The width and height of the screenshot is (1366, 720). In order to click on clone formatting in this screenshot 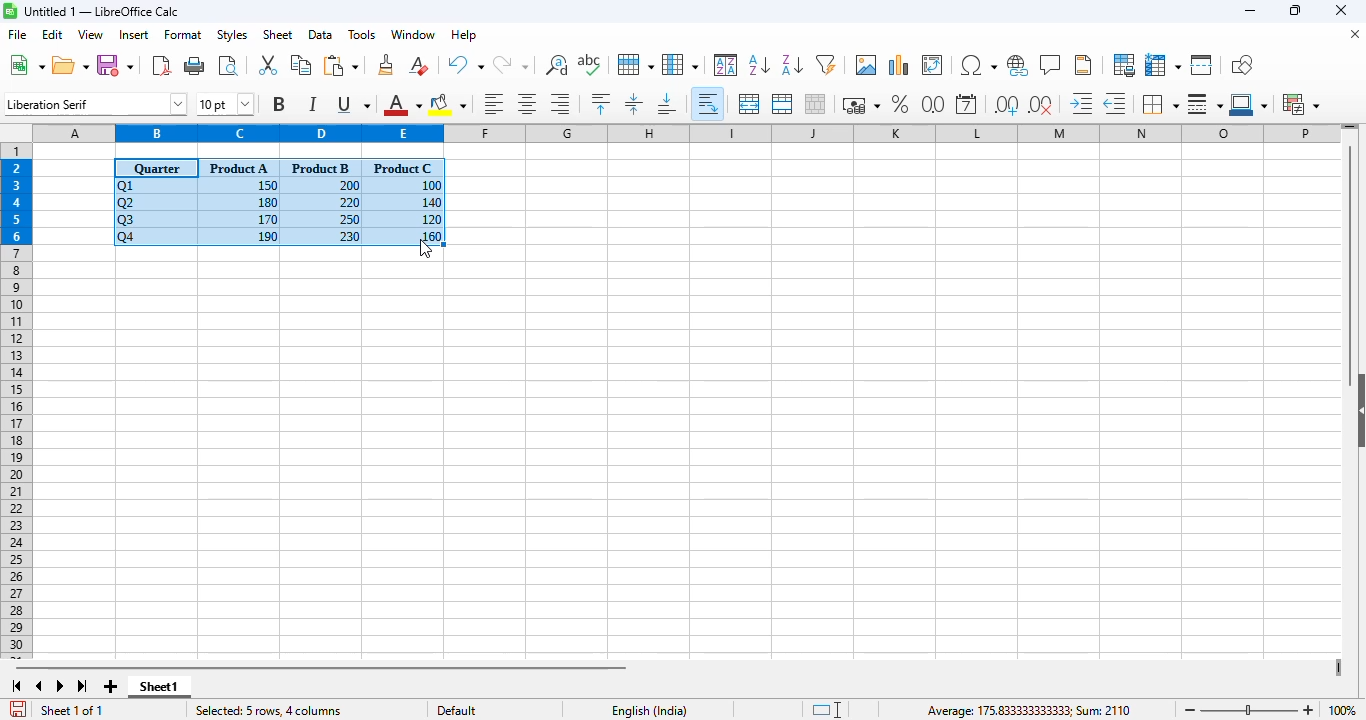, I will do `click(387, 64)`.